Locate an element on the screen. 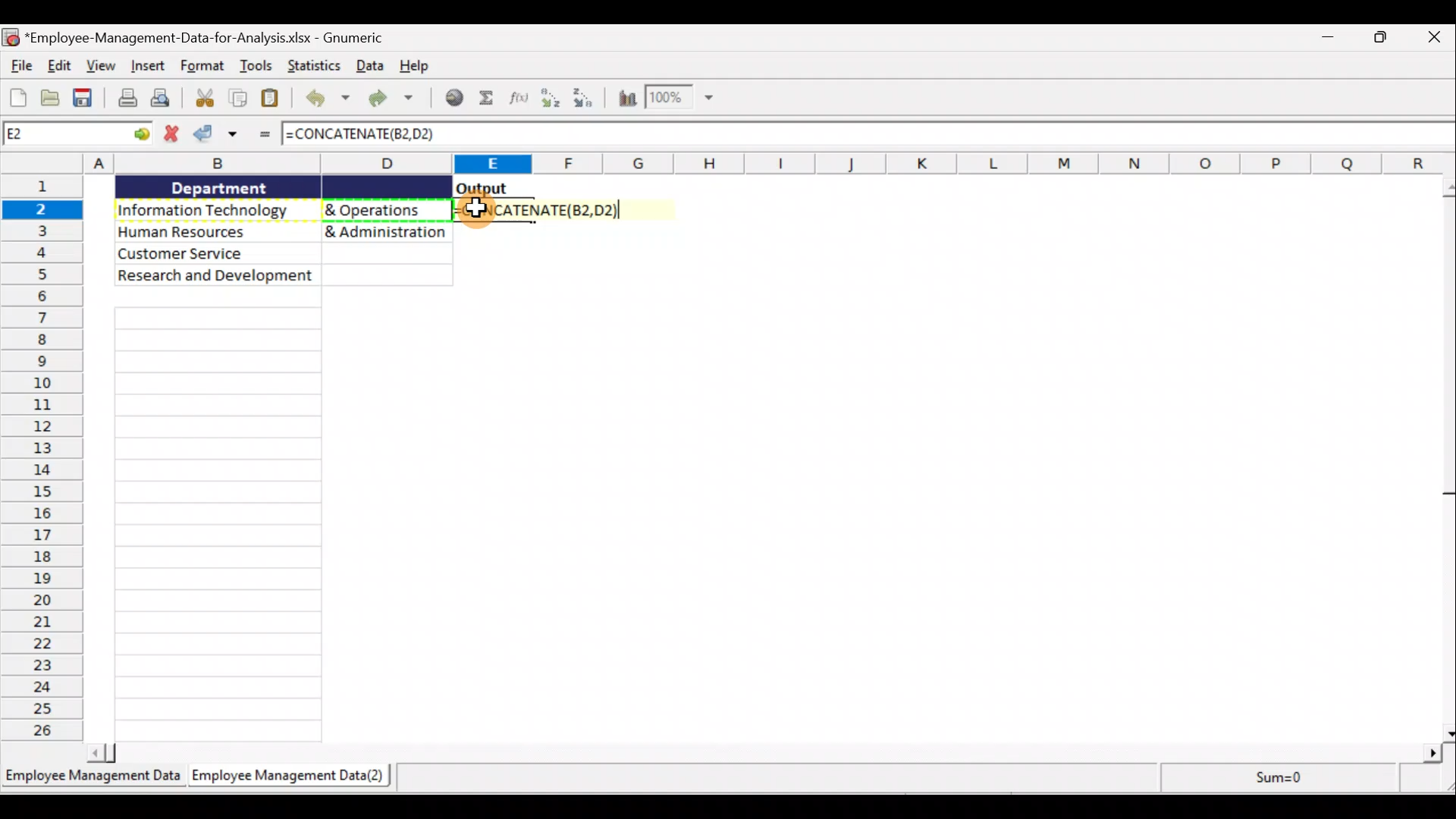 This screenshot has height=819, width=1456. Sort Ascending is located at coordinates (553, 99).